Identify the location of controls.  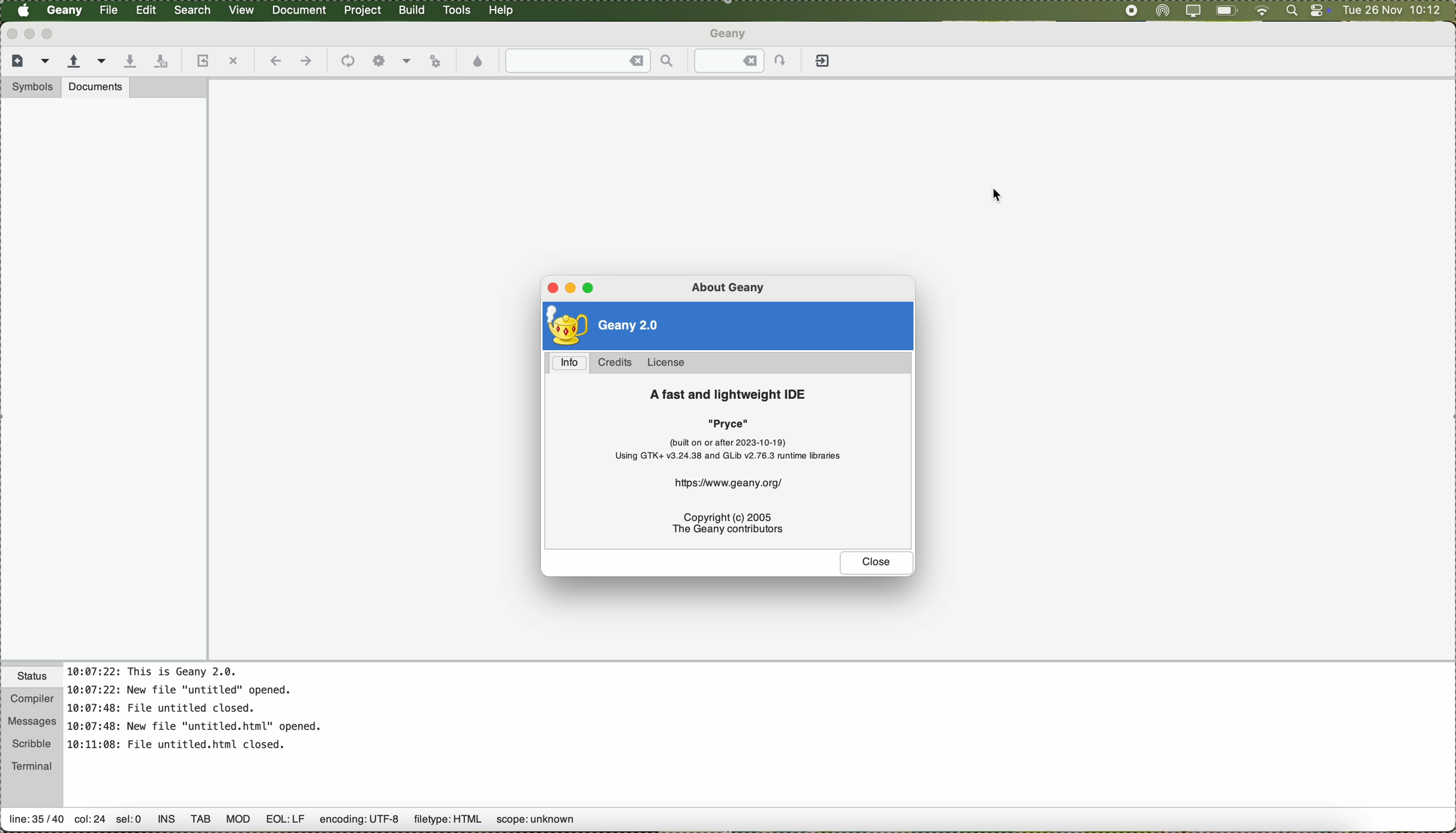
(1318, 11).